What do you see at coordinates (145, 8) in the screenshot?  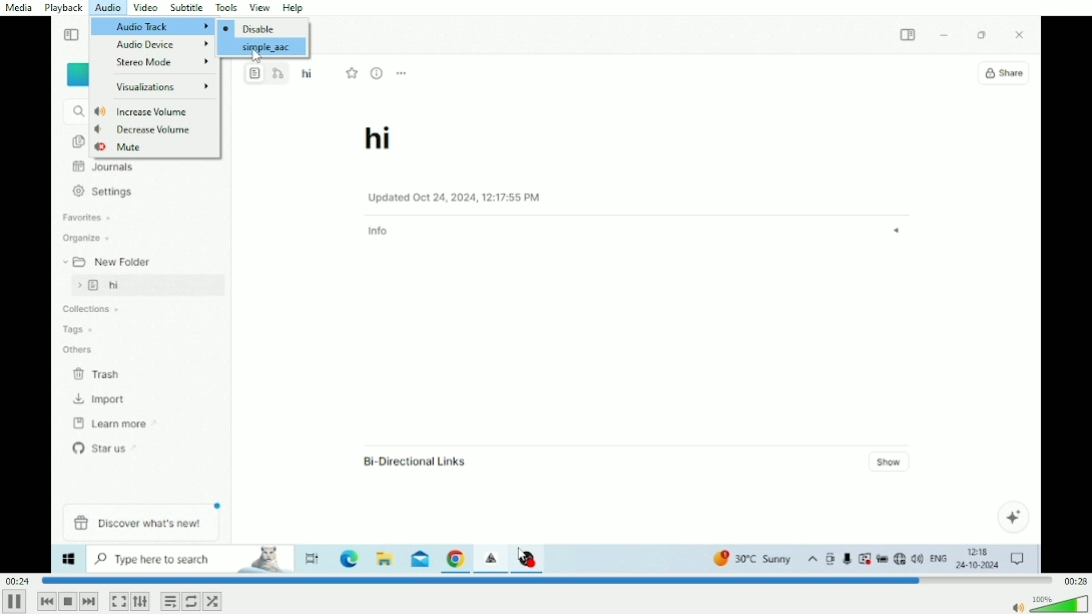 I see `Video` at bounding box center [145, 8].